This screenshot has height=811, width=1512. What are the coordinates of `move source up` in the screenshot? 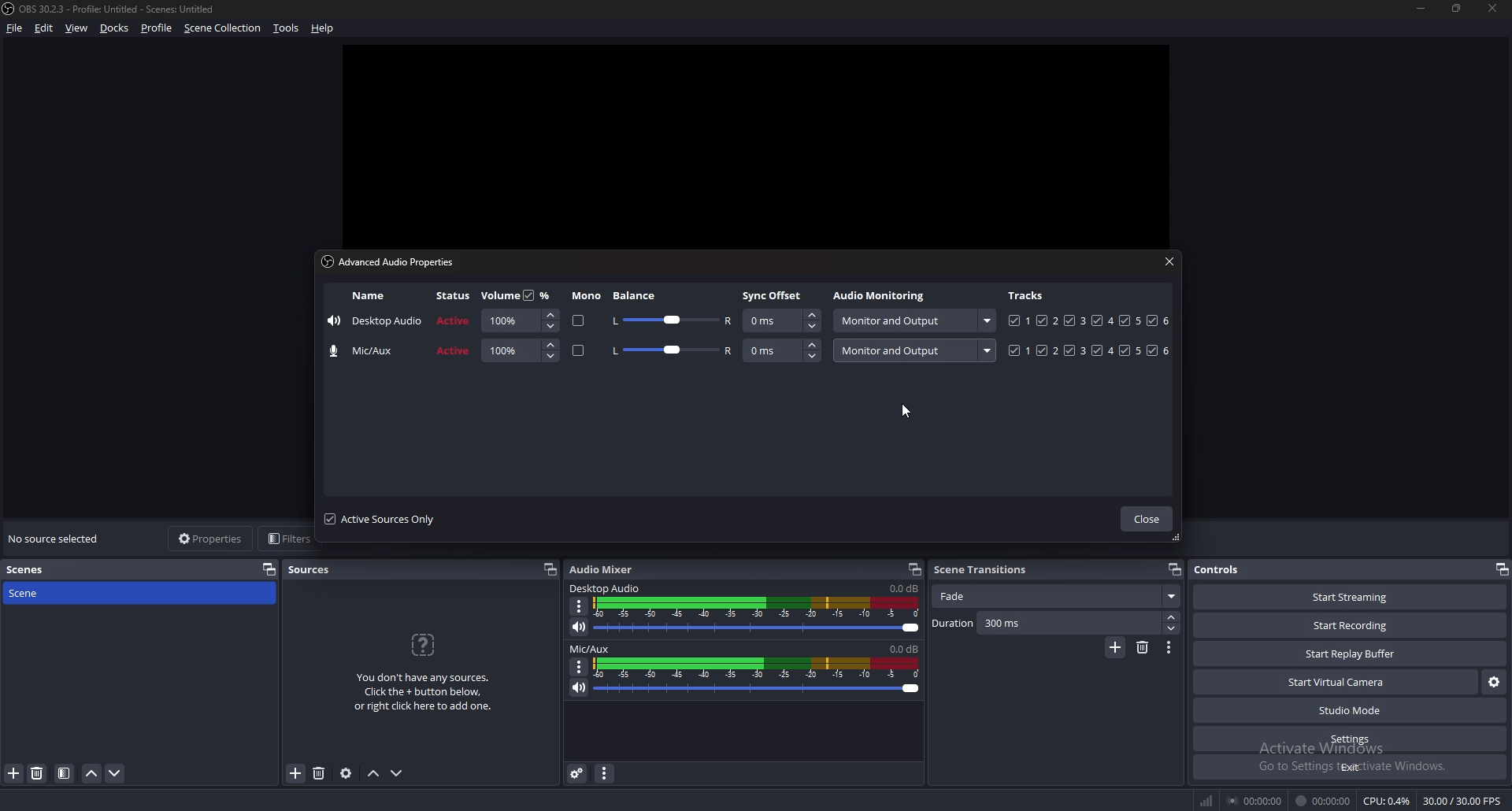 It's located at (376, 773).